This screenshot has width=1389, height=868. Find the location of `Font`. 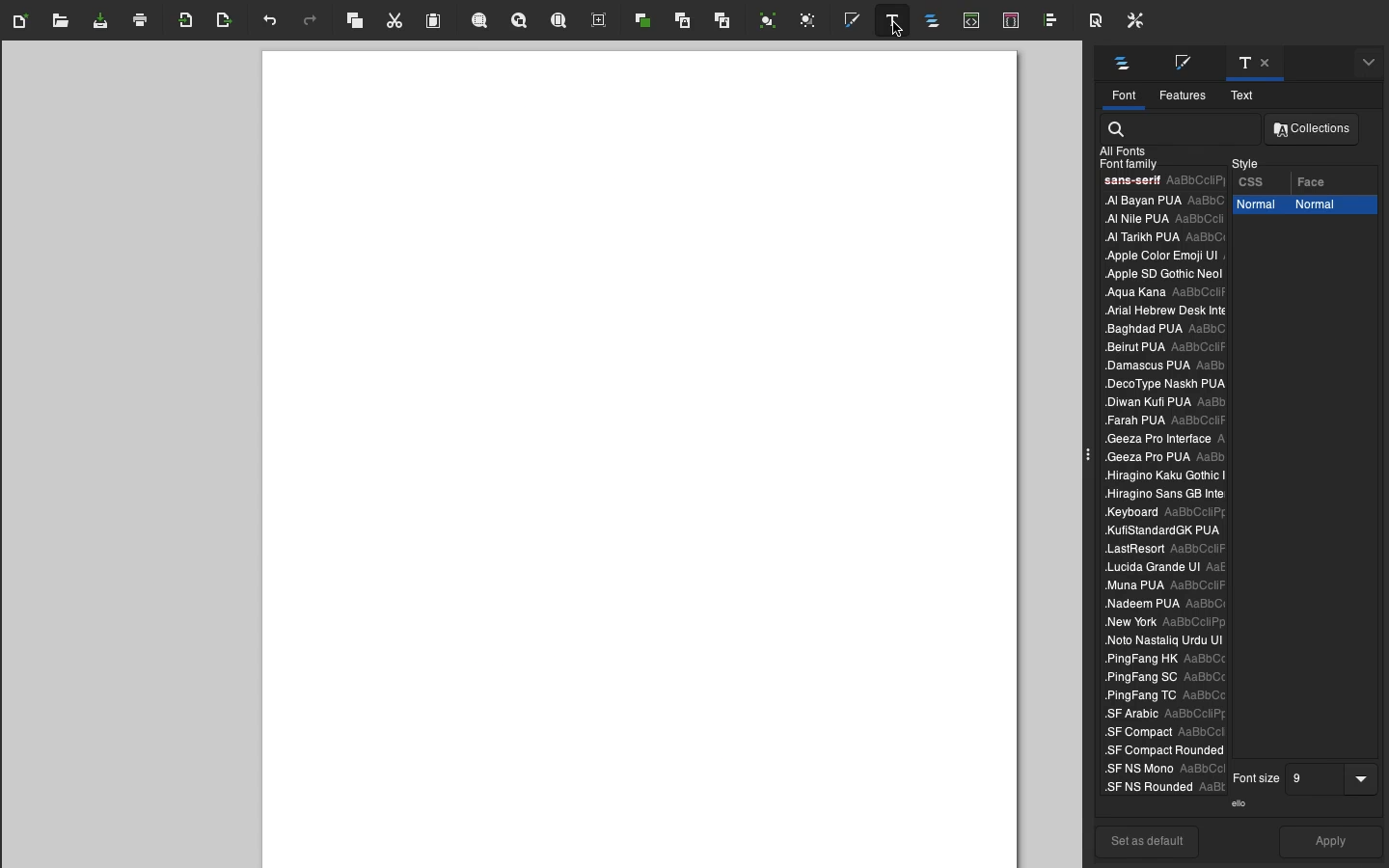

Font is located at coordinates (1122, 95).